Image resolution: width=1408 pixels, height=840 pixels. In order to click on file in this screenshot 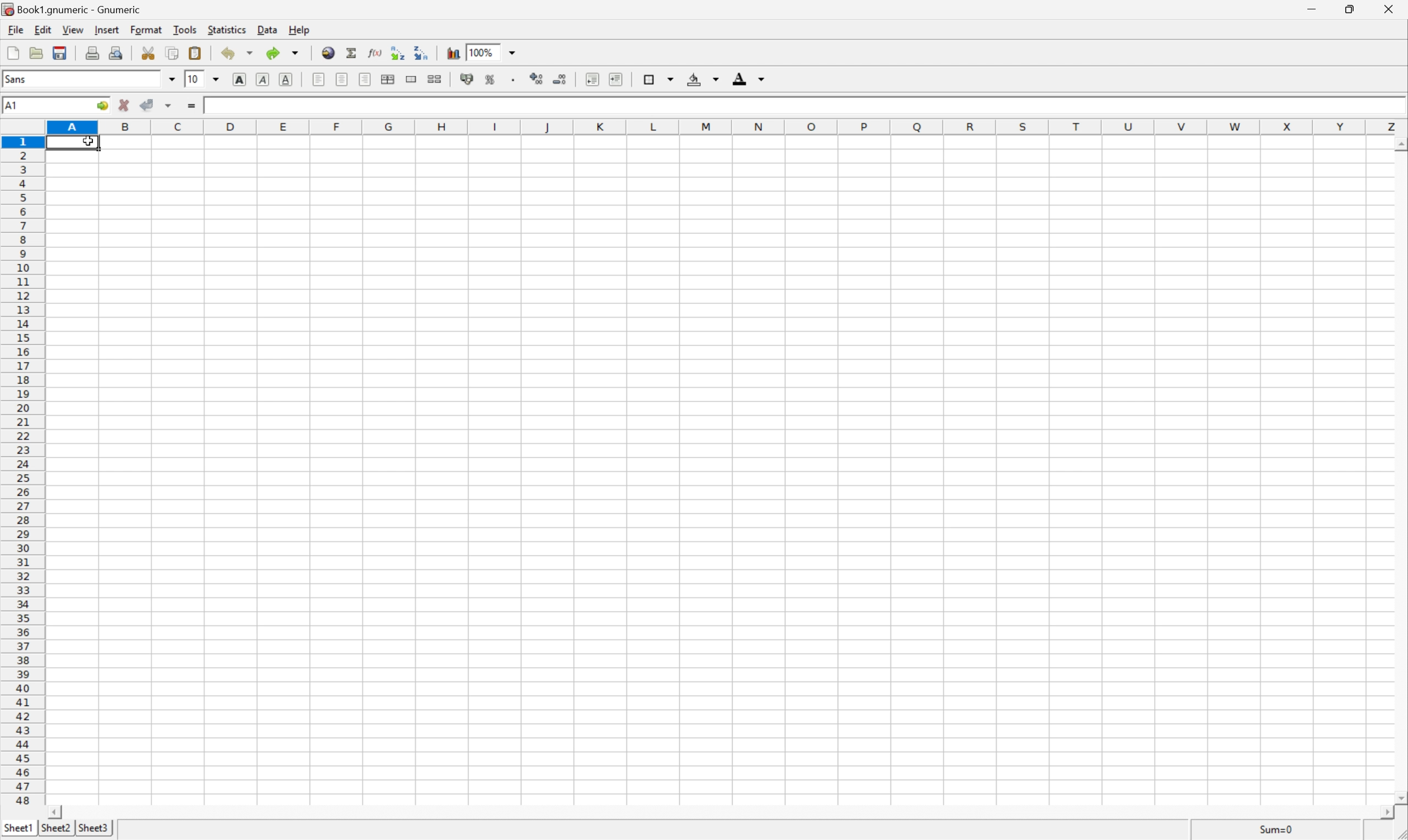, I will do `click(15, 29)`.